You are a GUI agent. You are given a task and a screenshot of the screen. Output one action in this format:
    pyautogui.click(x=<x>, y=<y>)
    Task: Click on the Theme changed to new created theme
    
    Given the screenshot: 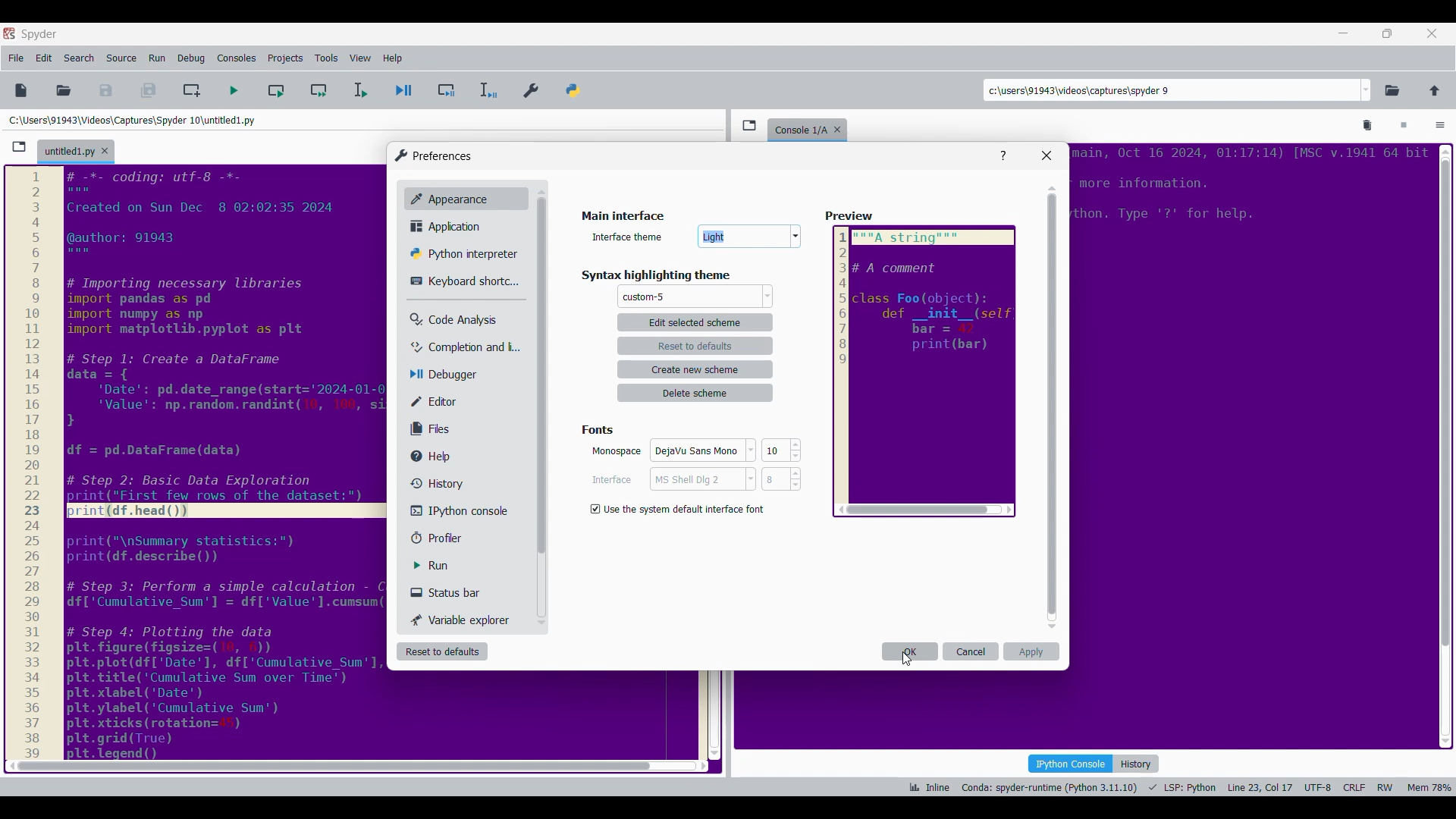 What is the action you would take?
    pyautogui.click(x=645, y=297)
    